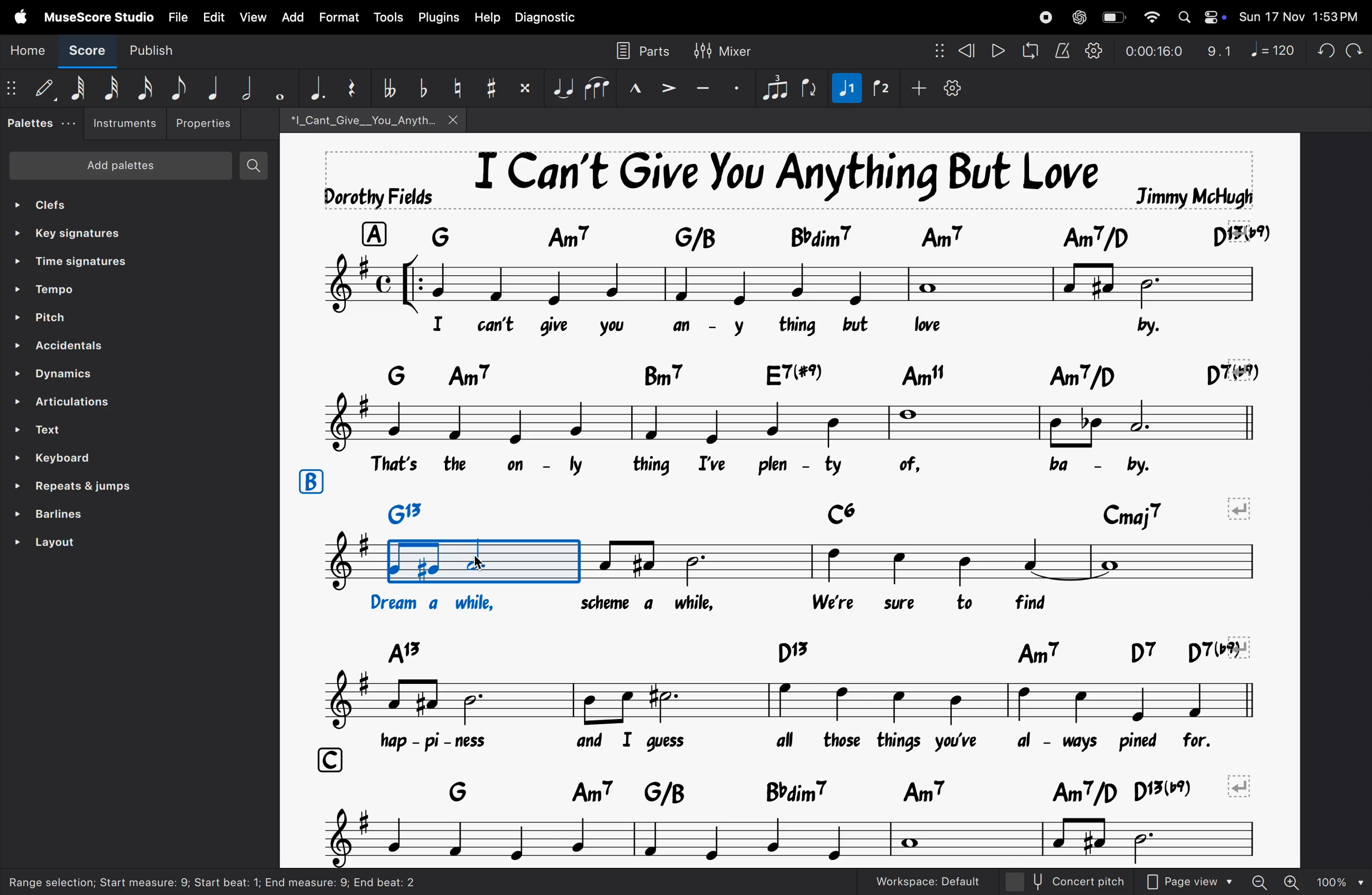  I want to click on palettes, so click(37, 125).